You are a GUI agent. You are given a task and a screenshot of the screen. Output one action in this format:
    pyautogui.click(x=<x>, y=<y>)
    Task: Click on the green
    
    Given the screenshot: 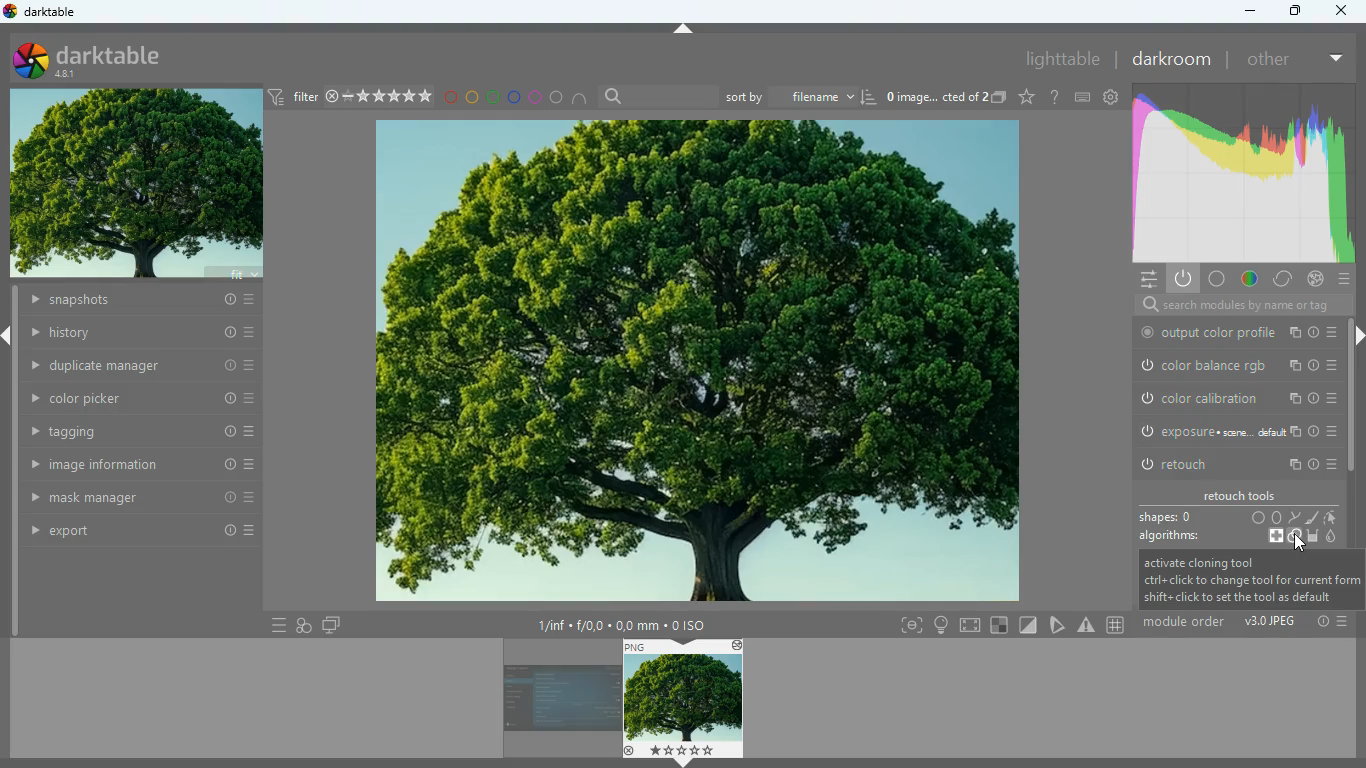 What is the action you would take?
    pyautogui.click(x=493, y=98)
    